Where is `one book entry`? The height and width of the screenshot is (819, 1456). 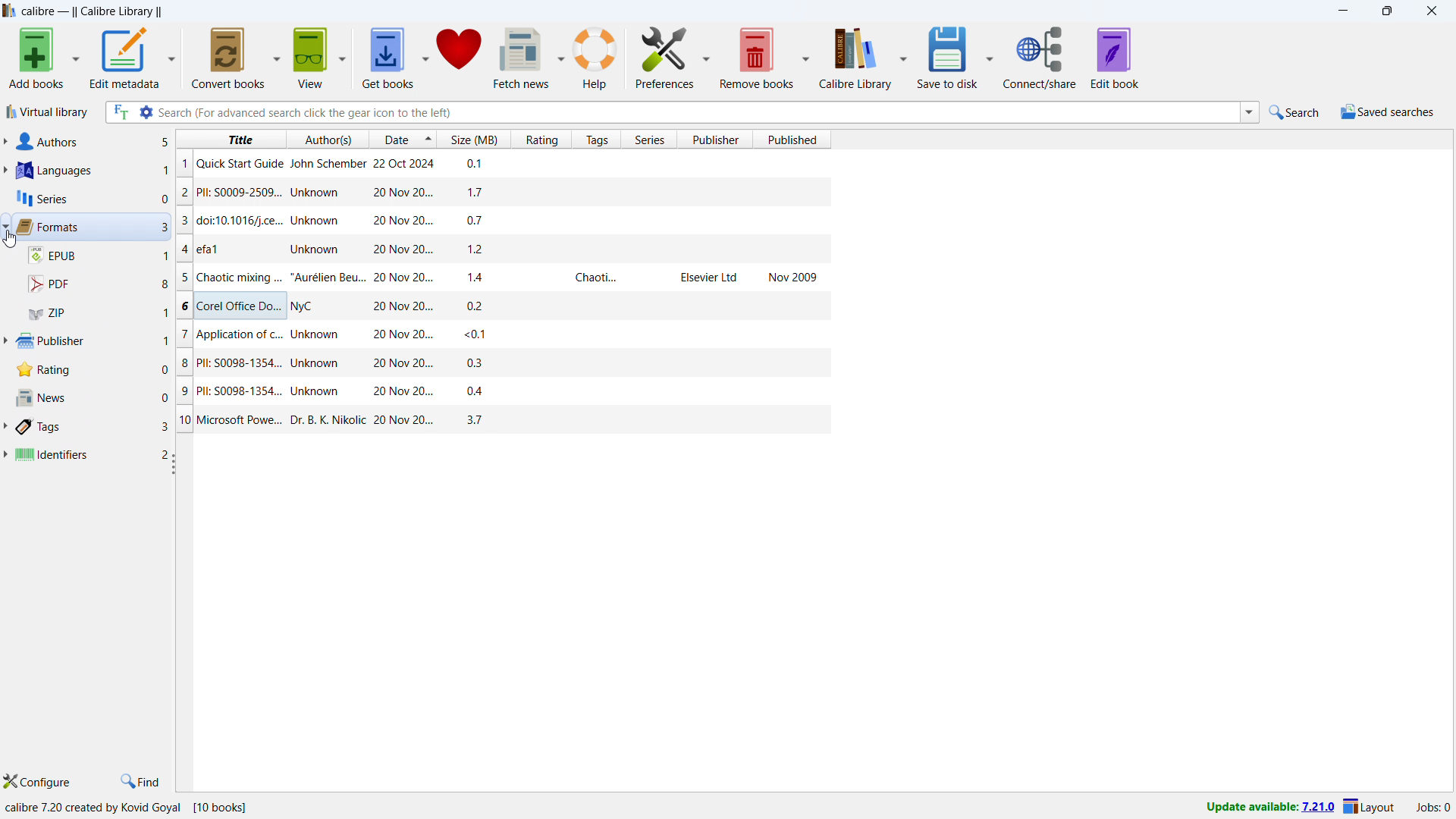 one book entry is located at coordinates (504, 392).